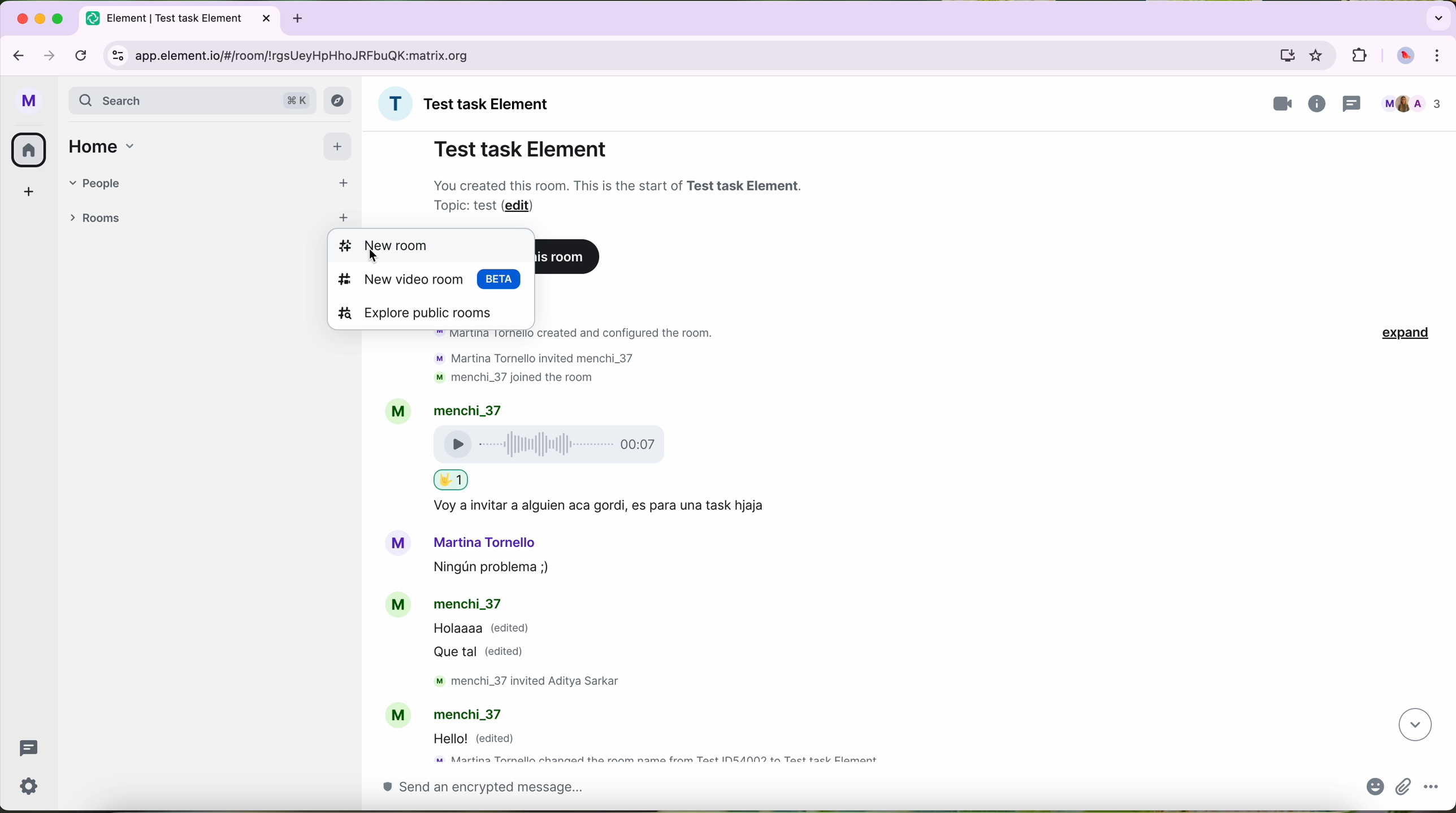 Image resolution: width=1456 pixels, height=813 pixels. Describe the element at coordinates (1319, 56) in the screenshot. I see `favorites` at that location.